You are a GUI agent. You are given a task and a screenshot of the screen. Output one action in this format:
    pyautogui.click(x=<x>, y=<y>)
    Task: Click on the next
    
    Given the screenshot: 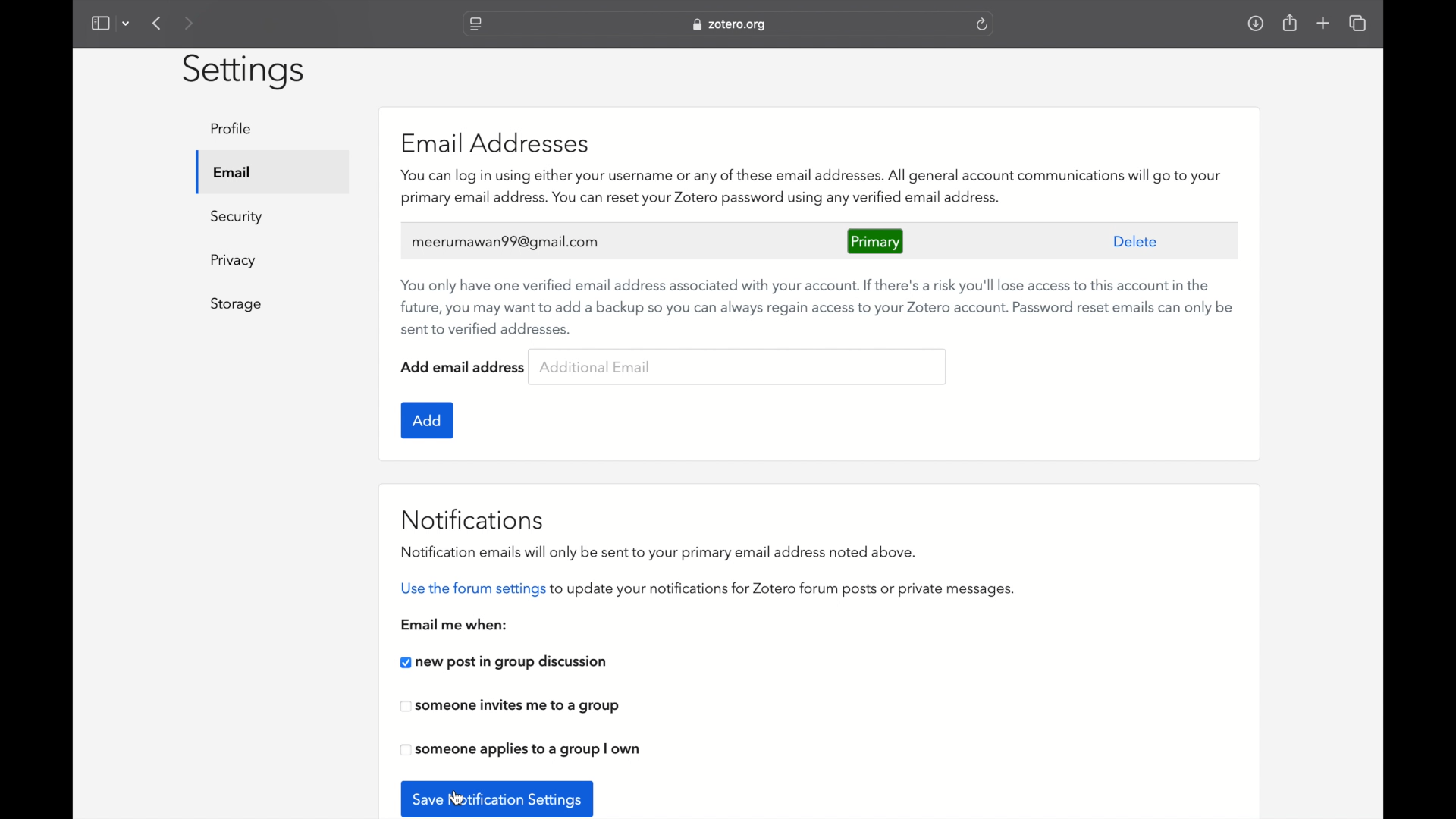 What is the action you would take?
    pyautogui.click(x=188, y=23)
    